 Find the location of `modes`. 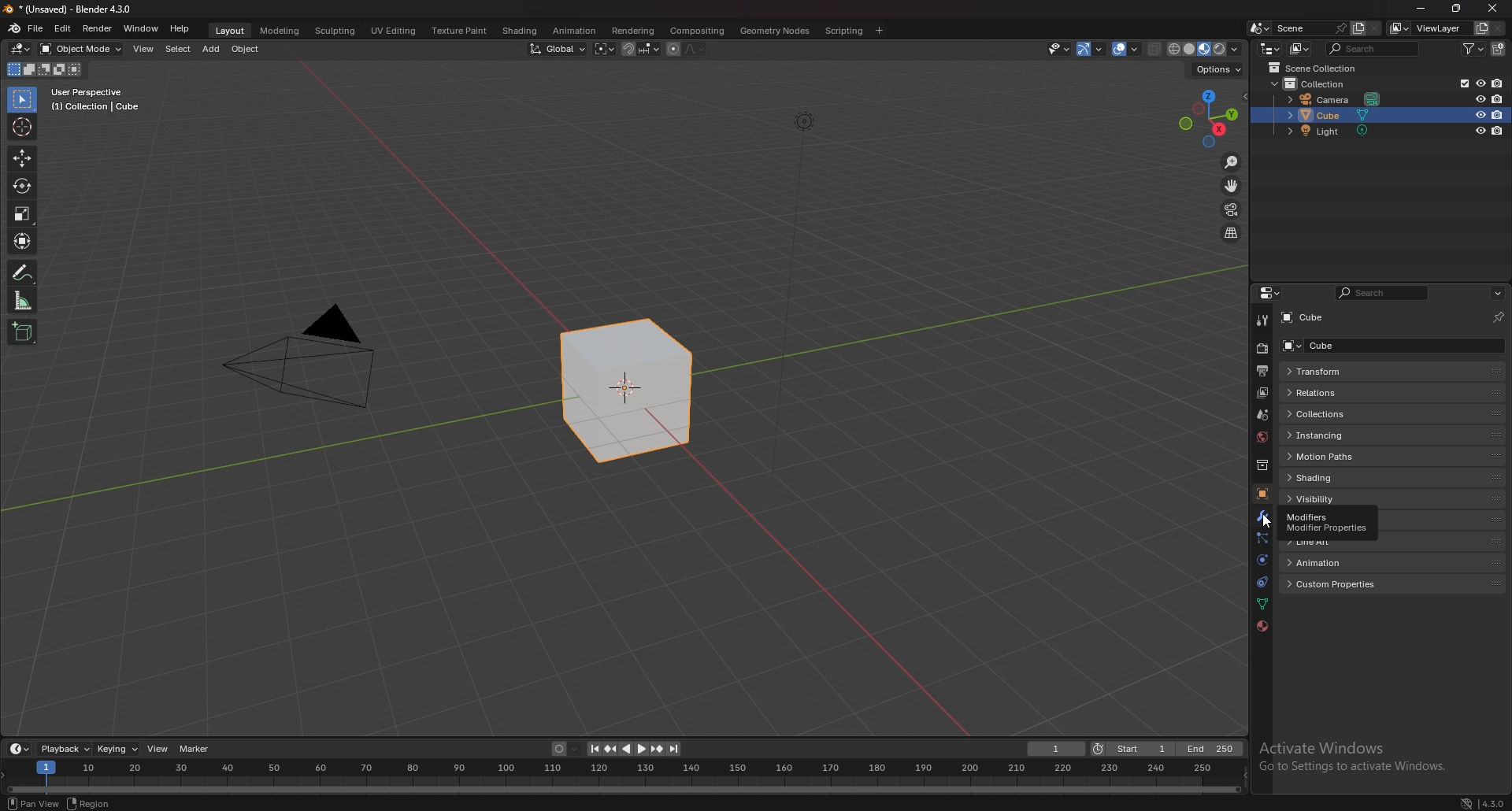

modes is located at coordinates (44, 69).